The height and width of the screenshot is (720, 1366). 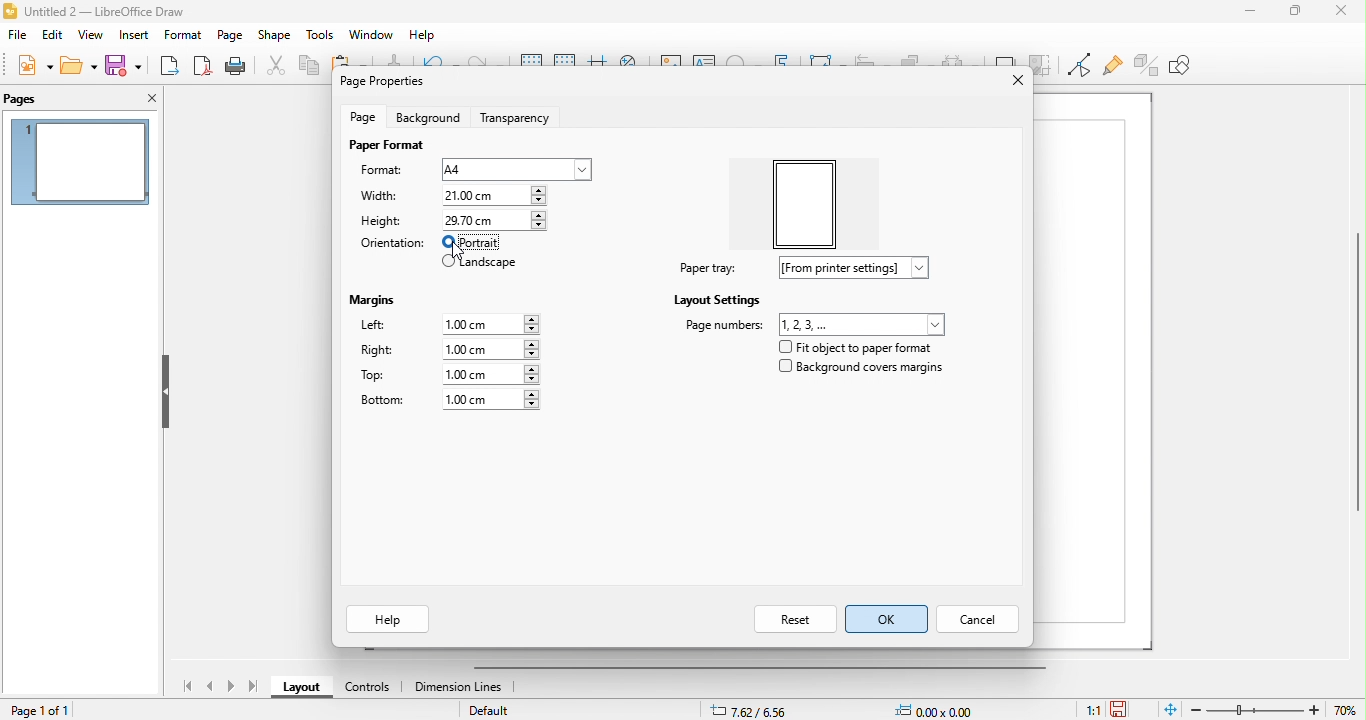 I want to click on print, so click(x=235, y=66).